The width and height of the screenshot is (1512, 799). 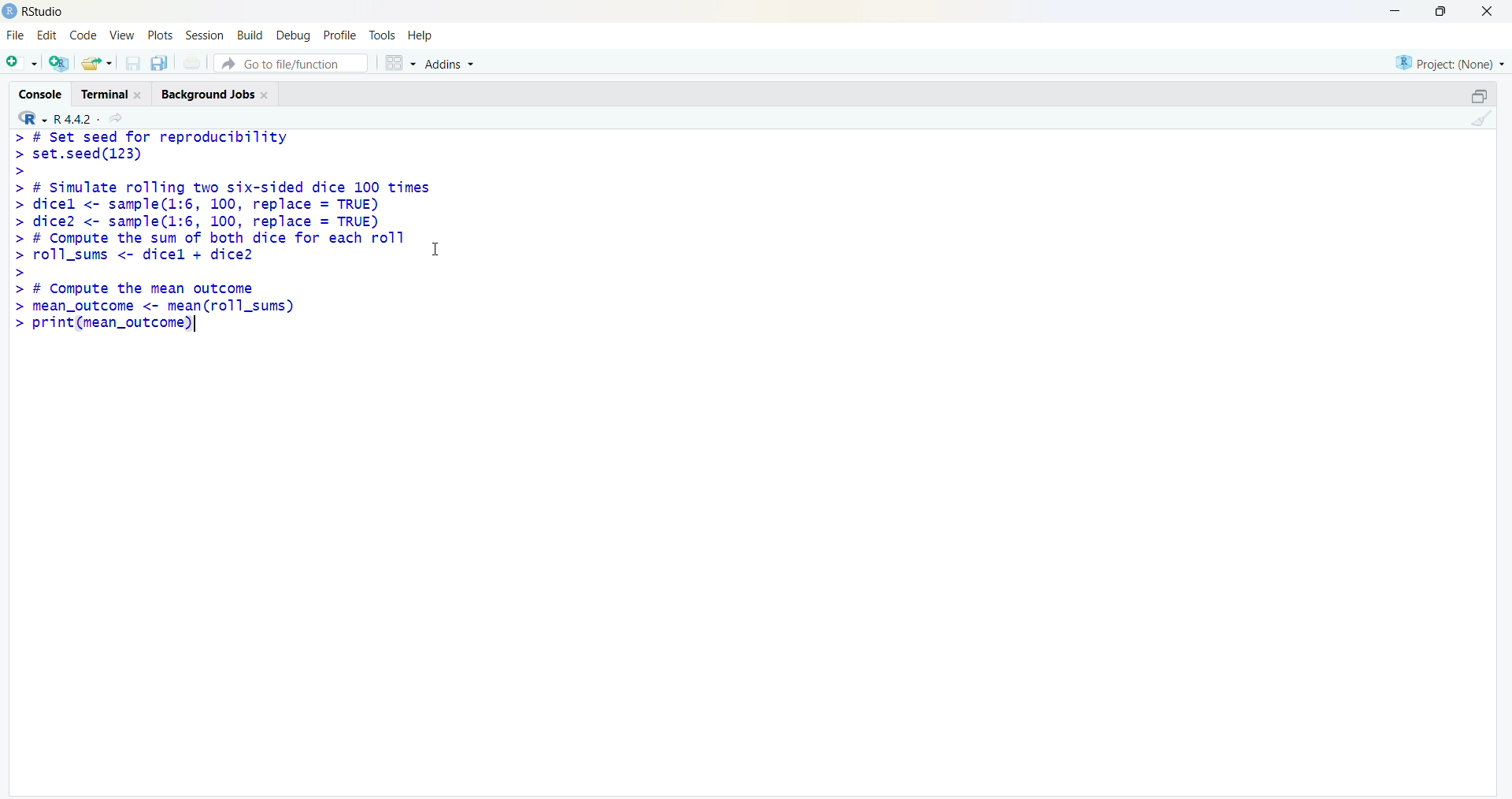 I want to click on clean, so click(x=1482, y=117).